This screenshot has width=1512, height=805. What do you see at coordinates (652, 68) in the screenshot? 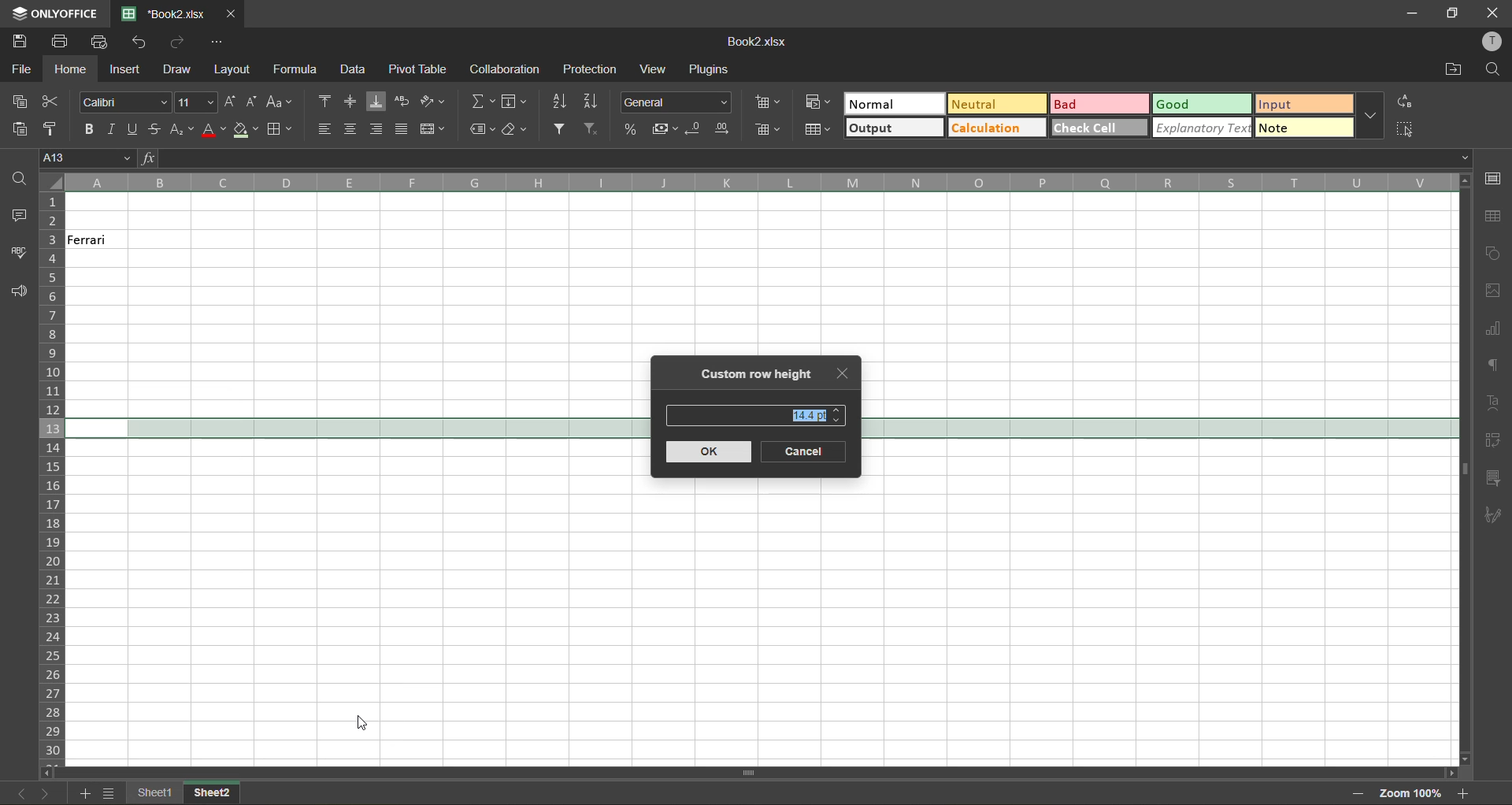
I see `view` at bounding box center [652, 68].